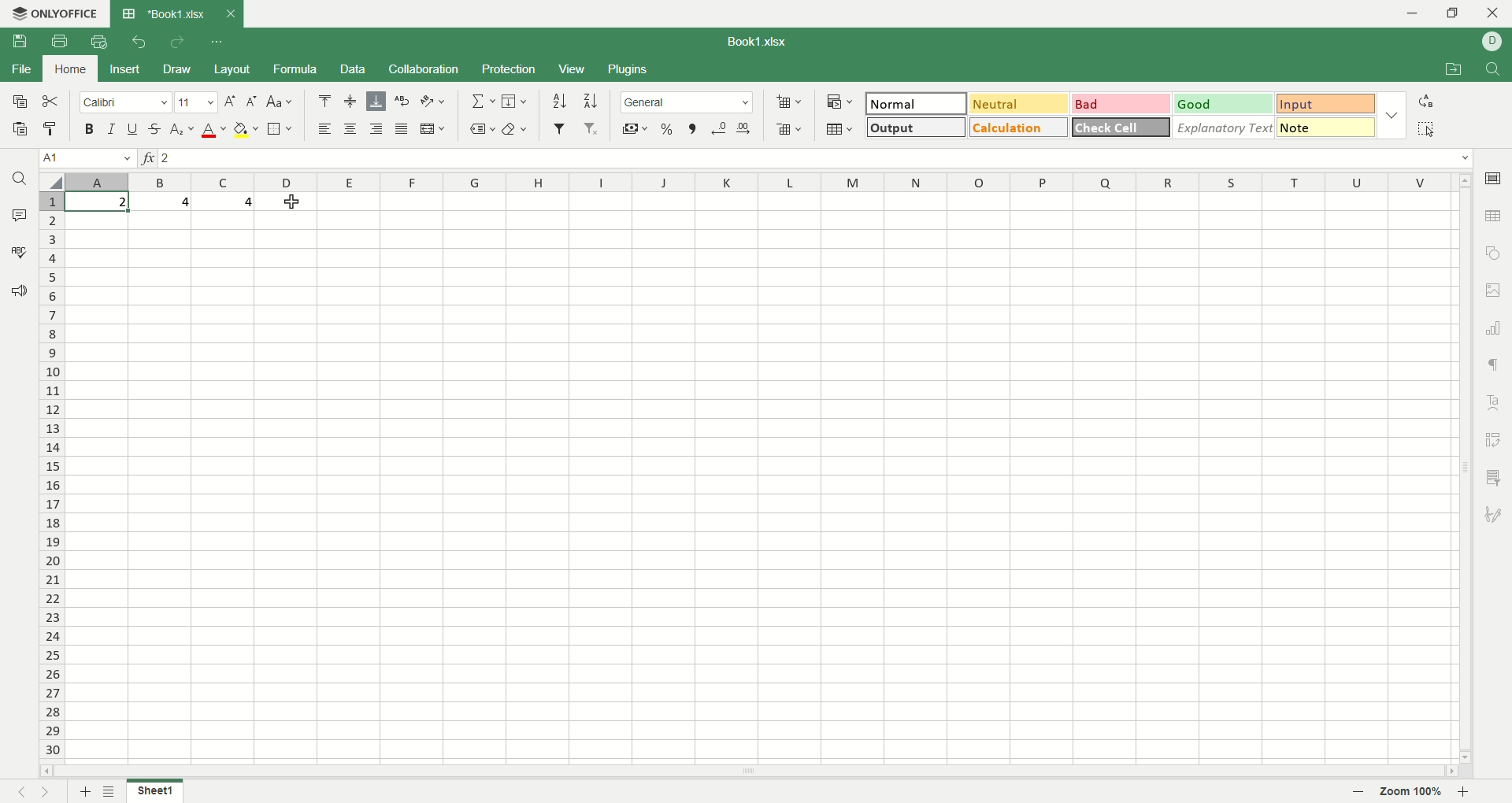  I want to click on zoom factor, so click(1414, 792).